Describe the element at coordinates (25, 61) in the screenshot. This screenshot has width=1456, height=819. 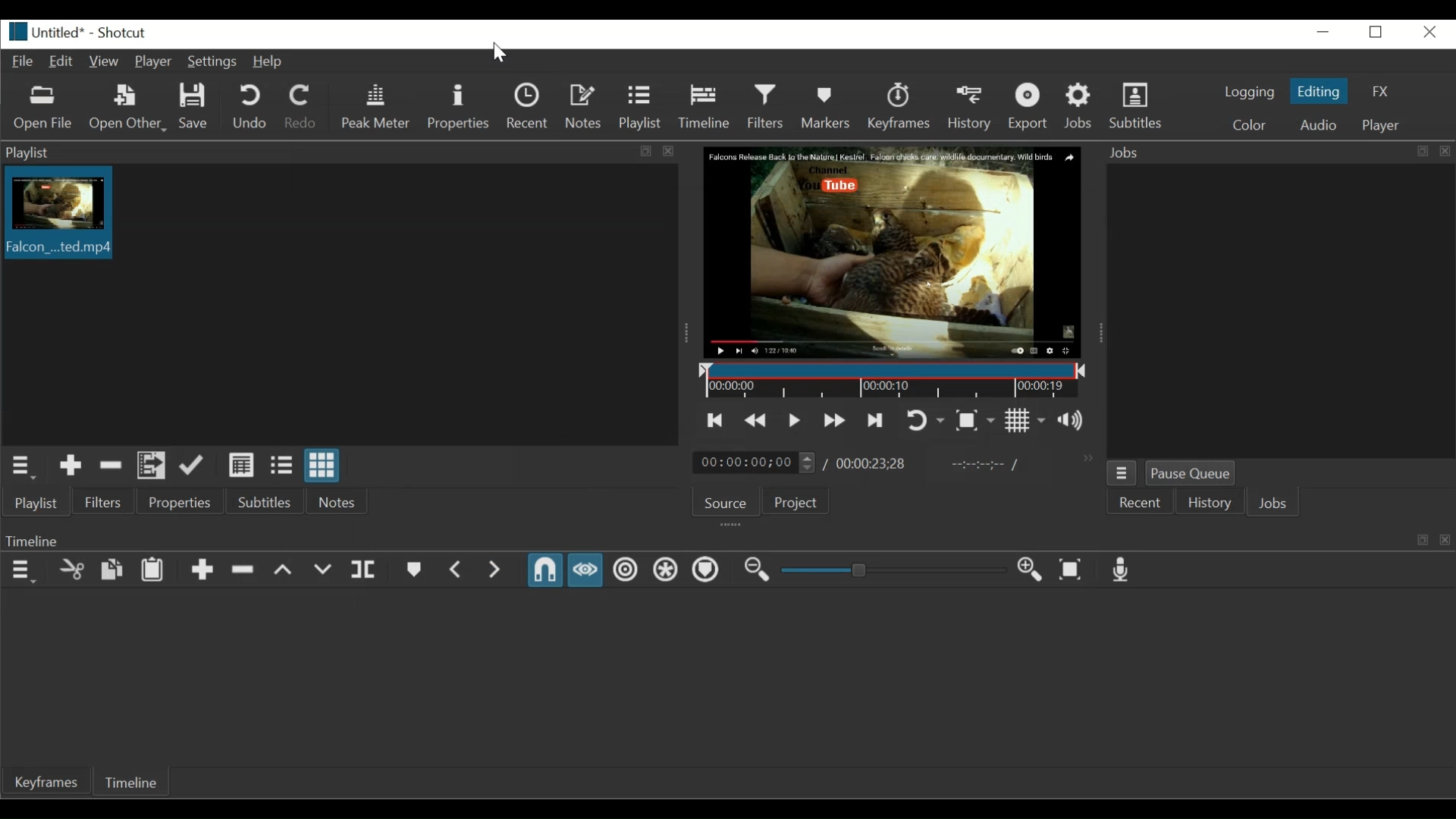
I see `File` at that location.